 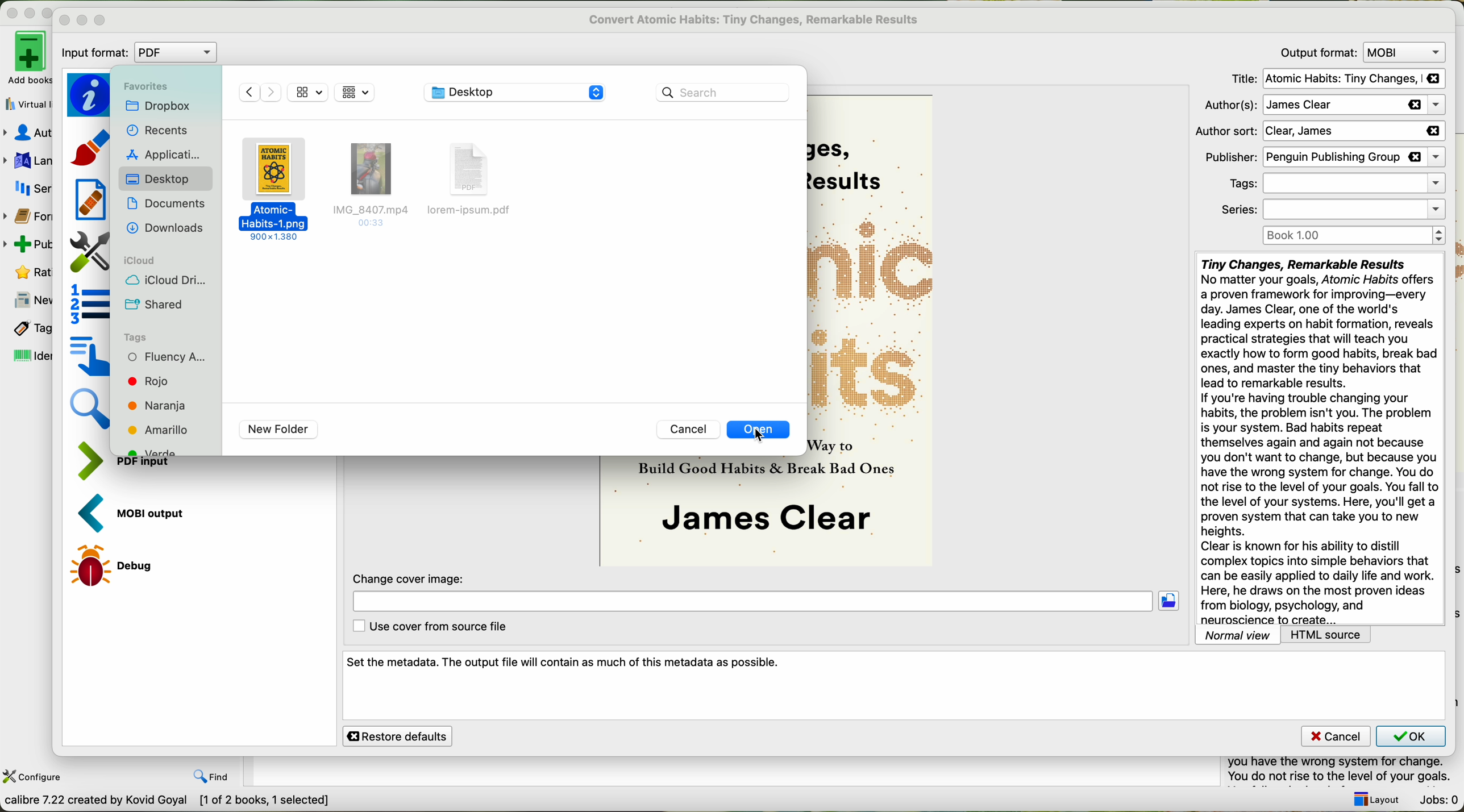 What do you see at coordinates (164, 450) in the screenshot?
I see `green tag` at bounding box center [164, 450].